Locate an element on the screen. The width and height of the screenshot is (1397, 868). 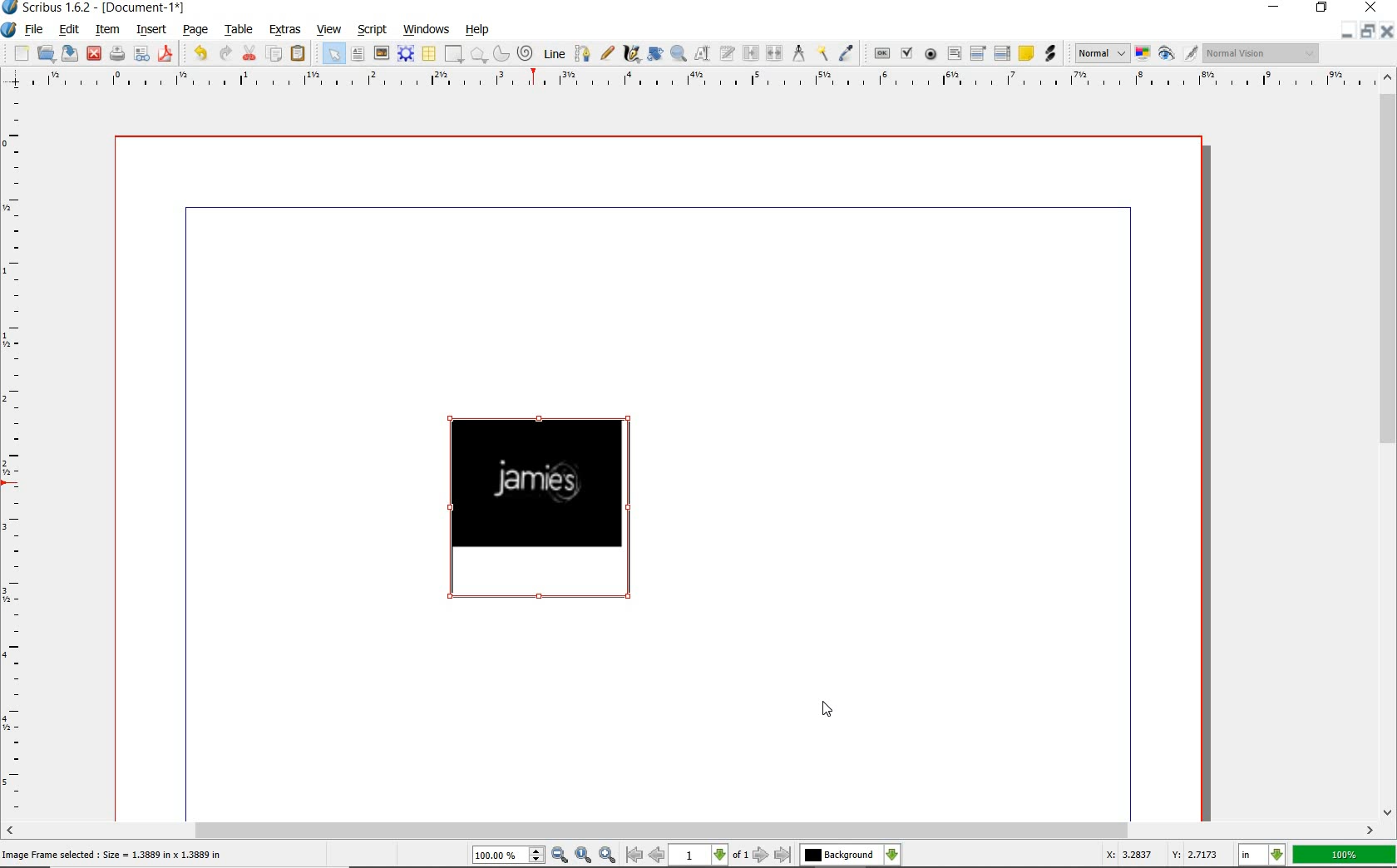
render frame is located at coordinates (405, 54).